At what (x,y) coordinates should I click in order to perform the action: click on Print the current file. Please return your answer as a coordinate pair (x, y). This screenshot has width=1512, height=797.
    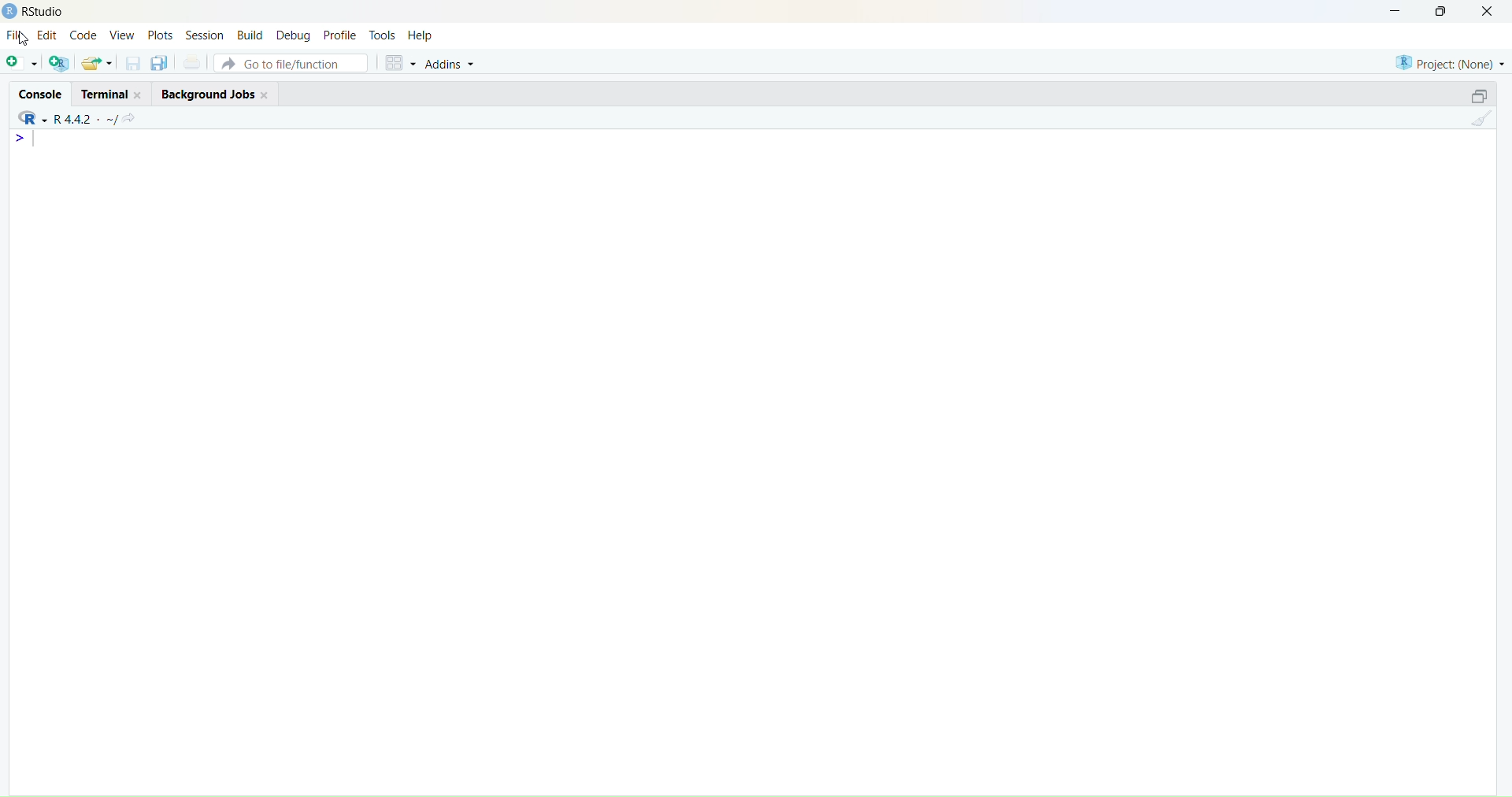
    Looking at the image, I should click on (191, 62).